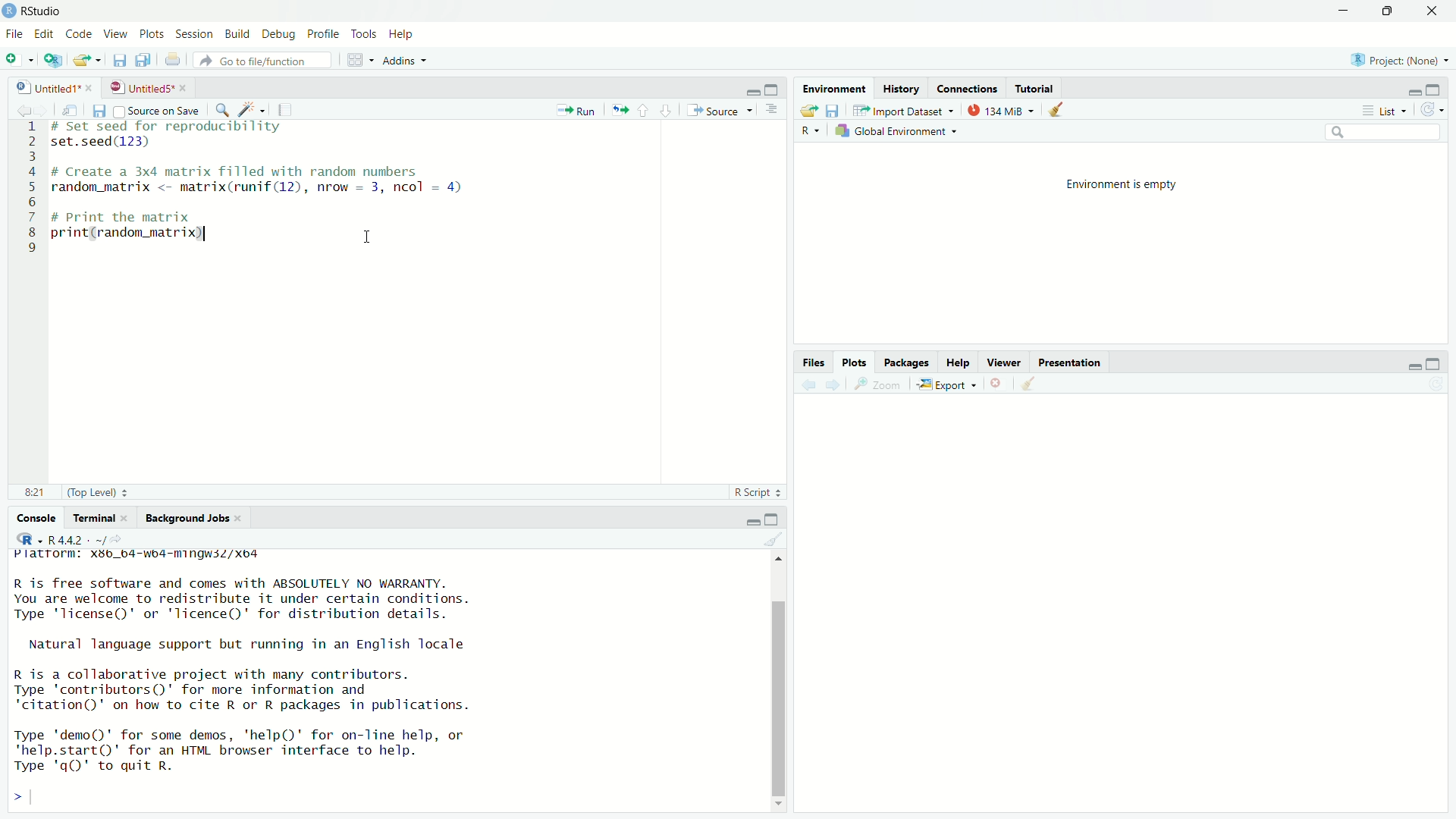  I want to click on maximise, so click(1437, 89).